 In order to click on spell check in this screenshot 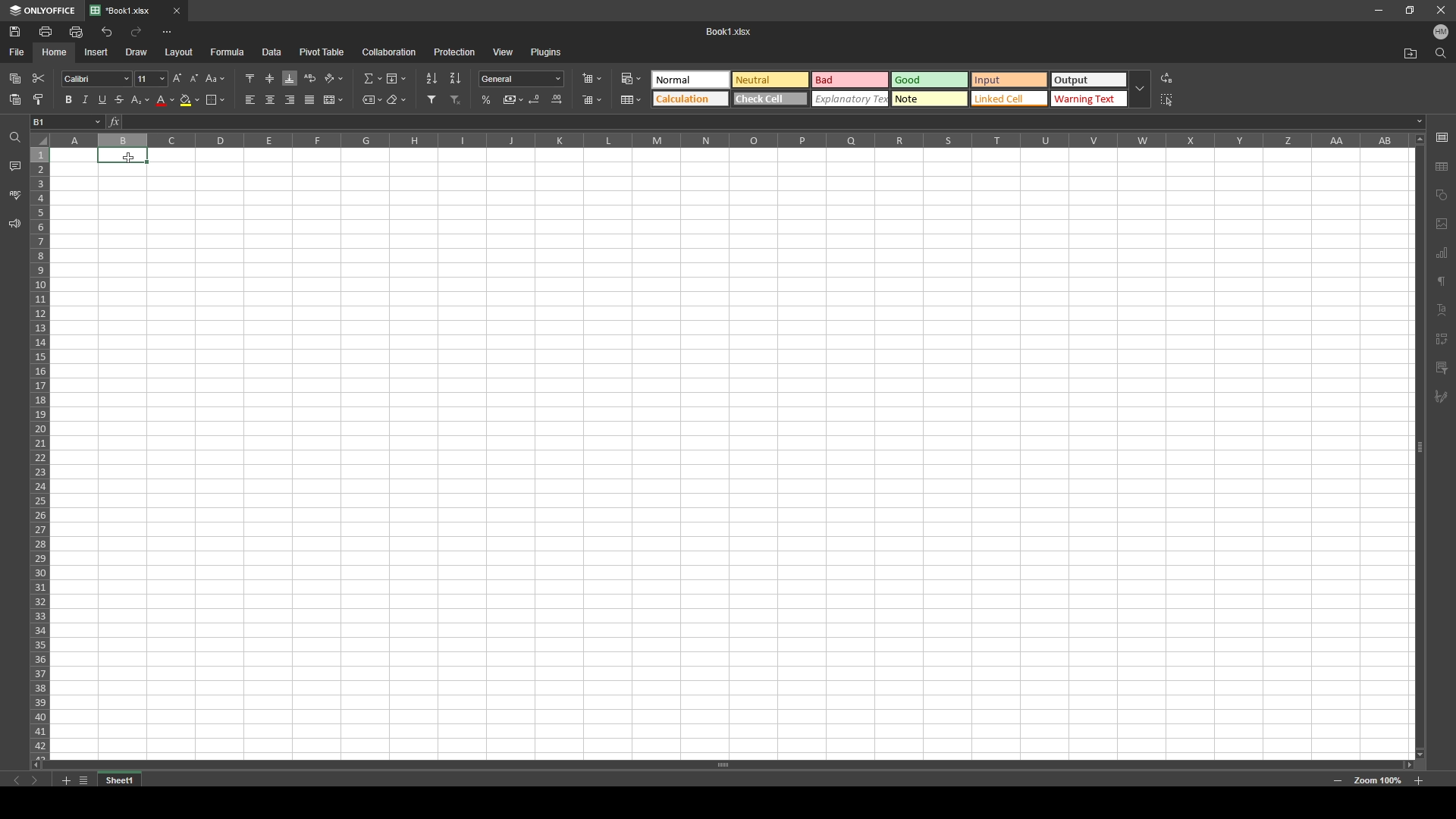, I will do `click(14, 195)`.